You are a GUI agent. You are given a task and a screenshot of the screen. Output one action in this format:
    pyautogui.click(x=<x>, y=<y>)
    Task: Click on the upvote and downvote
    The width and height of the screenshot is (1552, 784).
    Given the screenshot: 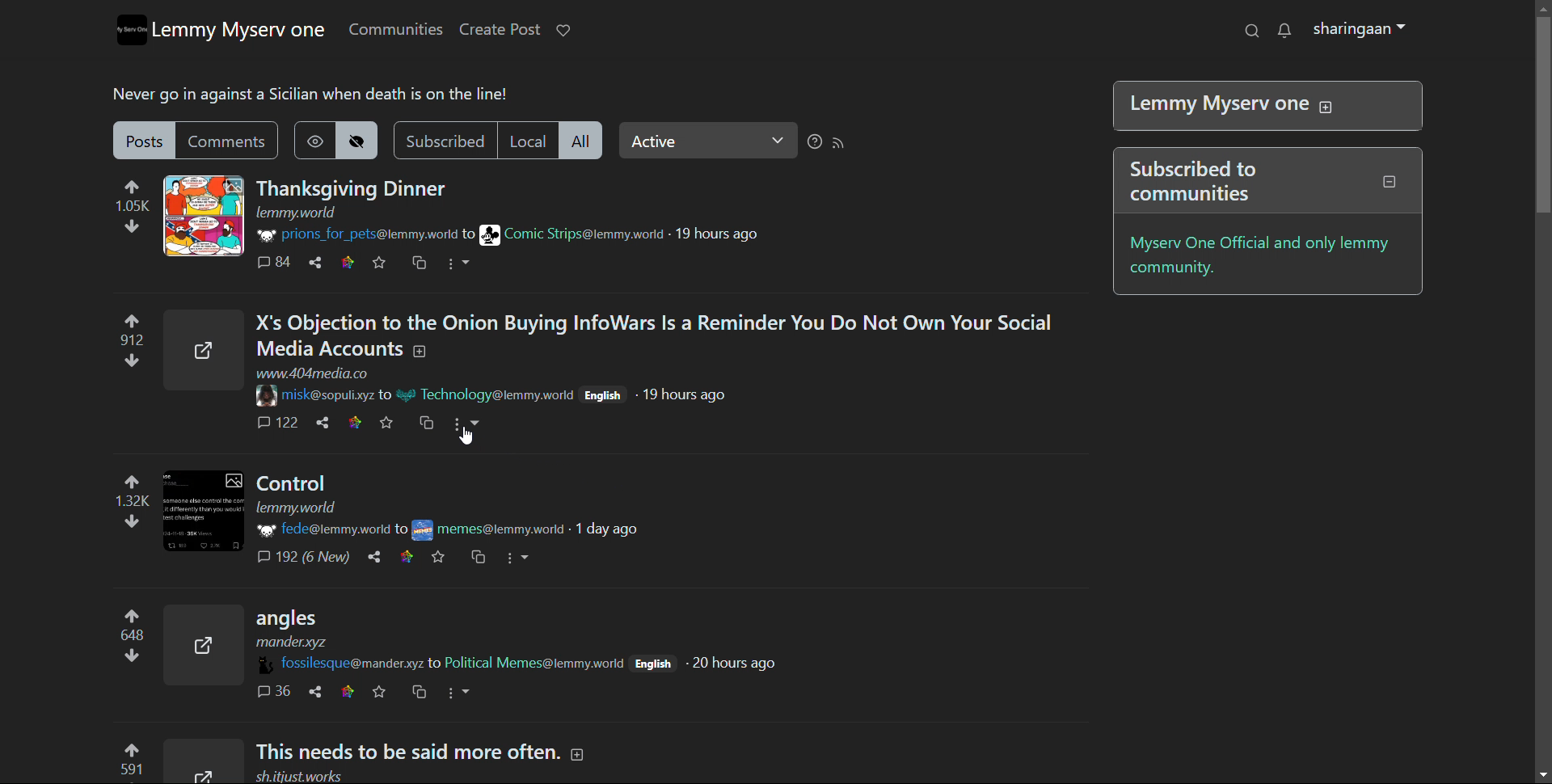 What is the action you would take?
    pyautogui.click(x=123, y=641)
    